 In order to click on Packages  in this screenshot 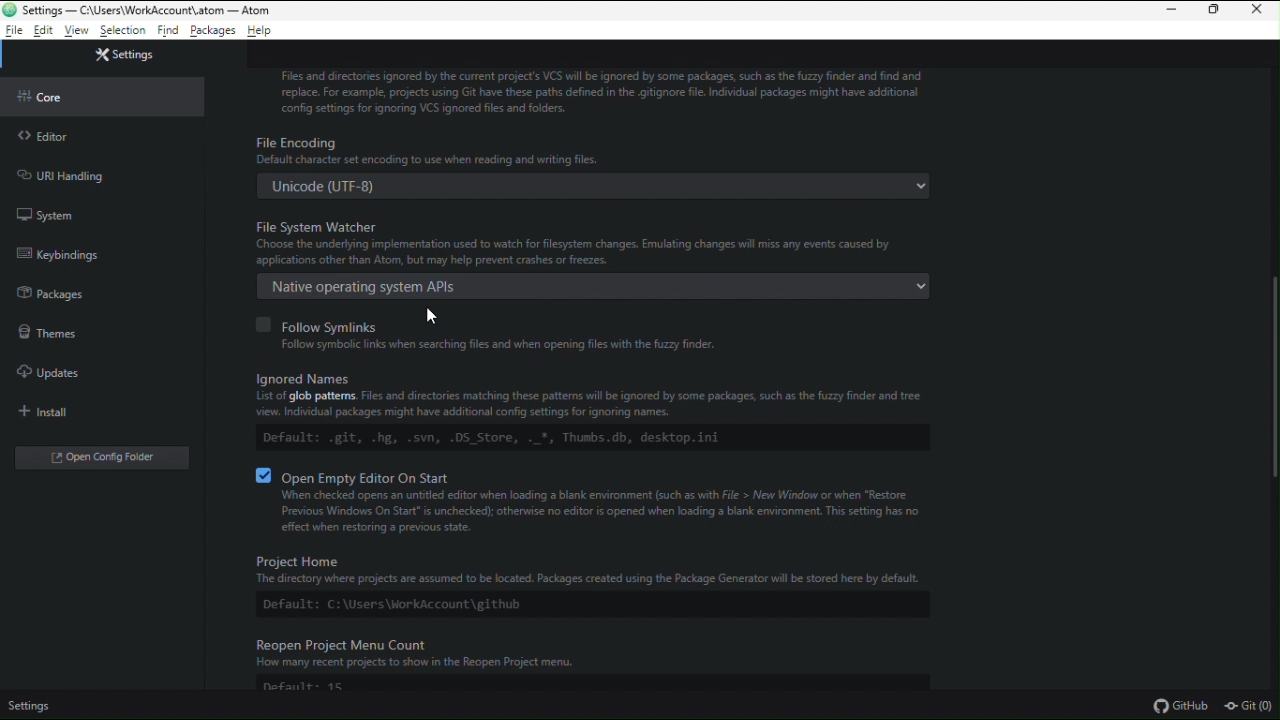, I will do `click(214, 32)`.